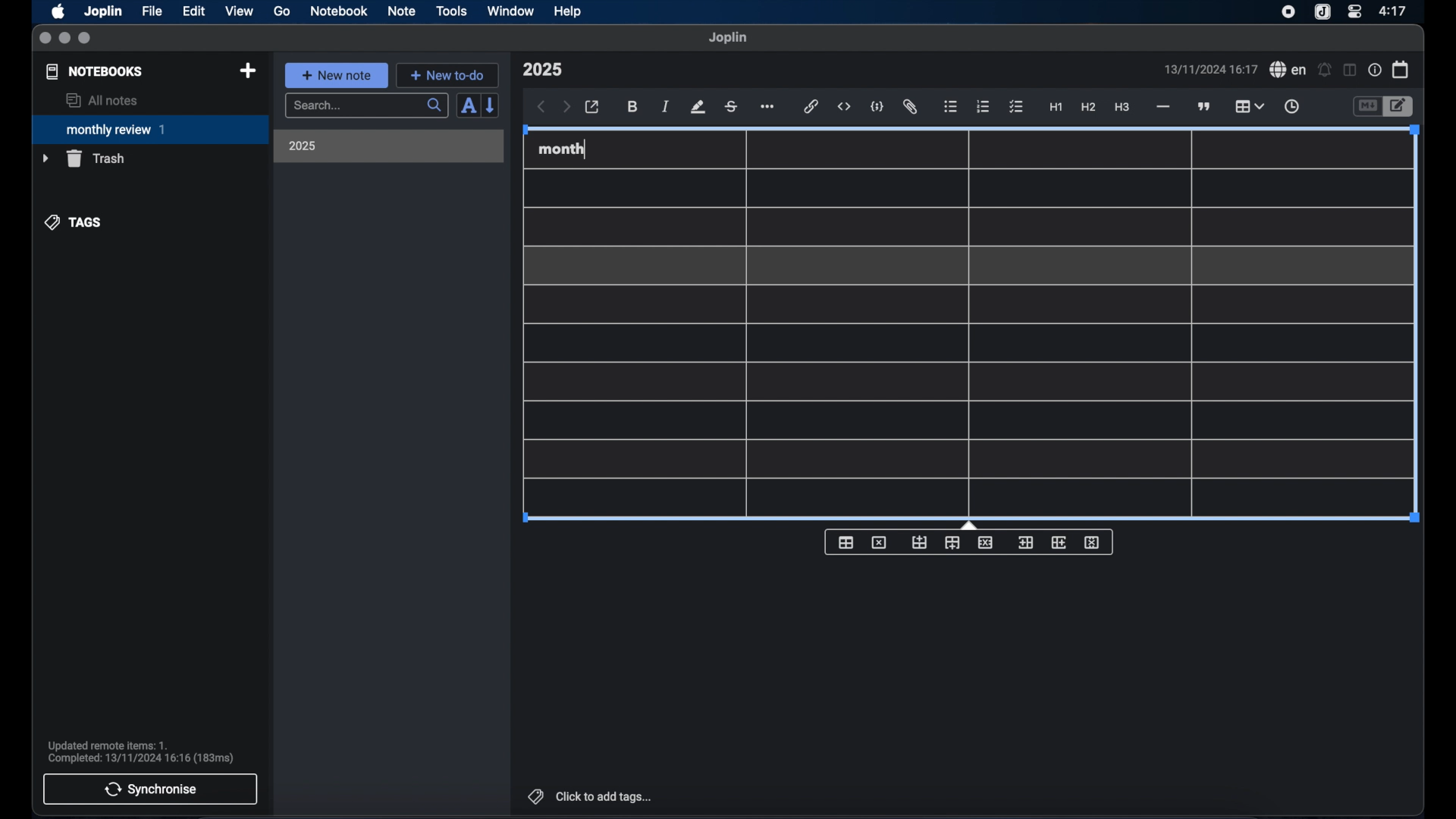  I want to click on delete column, so click(1093, 543).